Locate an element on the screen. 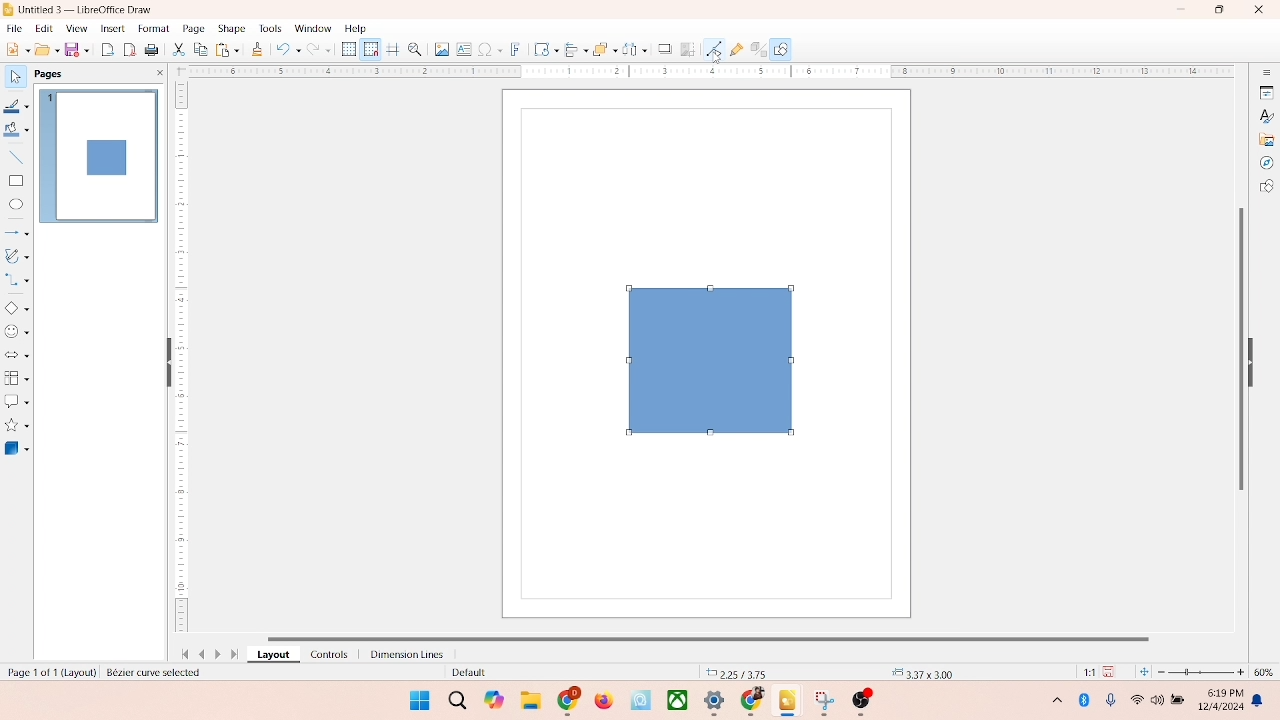 The width and height of the screenshot is (1280, 720). battery is located at coordinates (1180, 701).